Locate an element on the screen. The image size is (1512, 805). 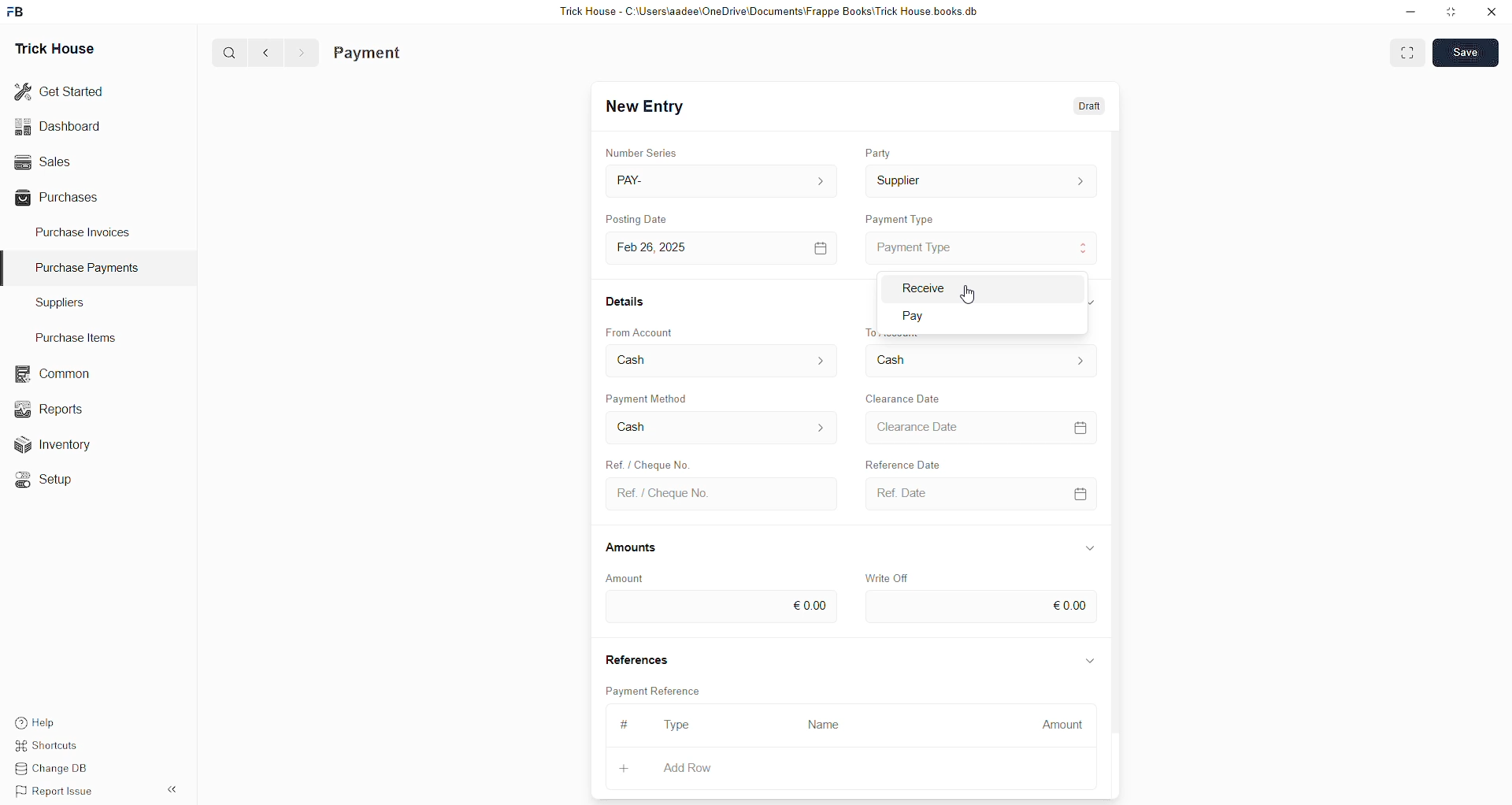
Amount is located at coordinates (1063, 725).